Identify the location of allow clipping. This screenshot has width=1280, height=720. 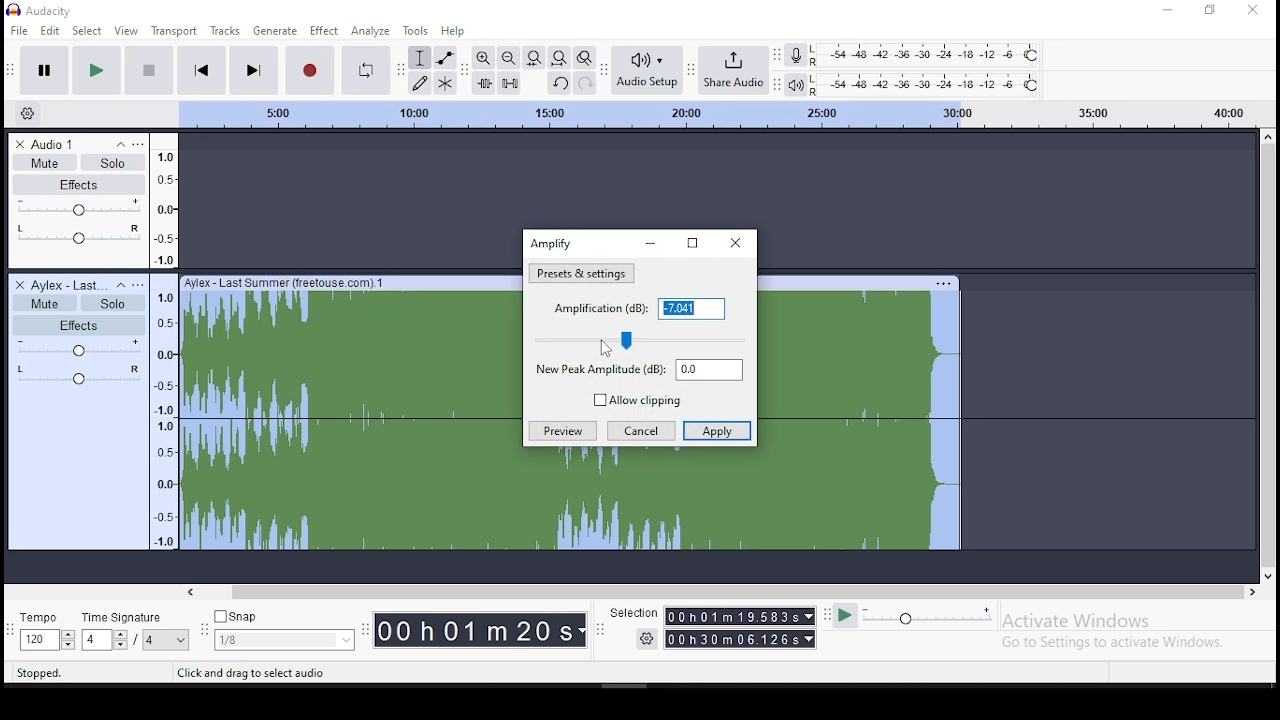
(641, 399).